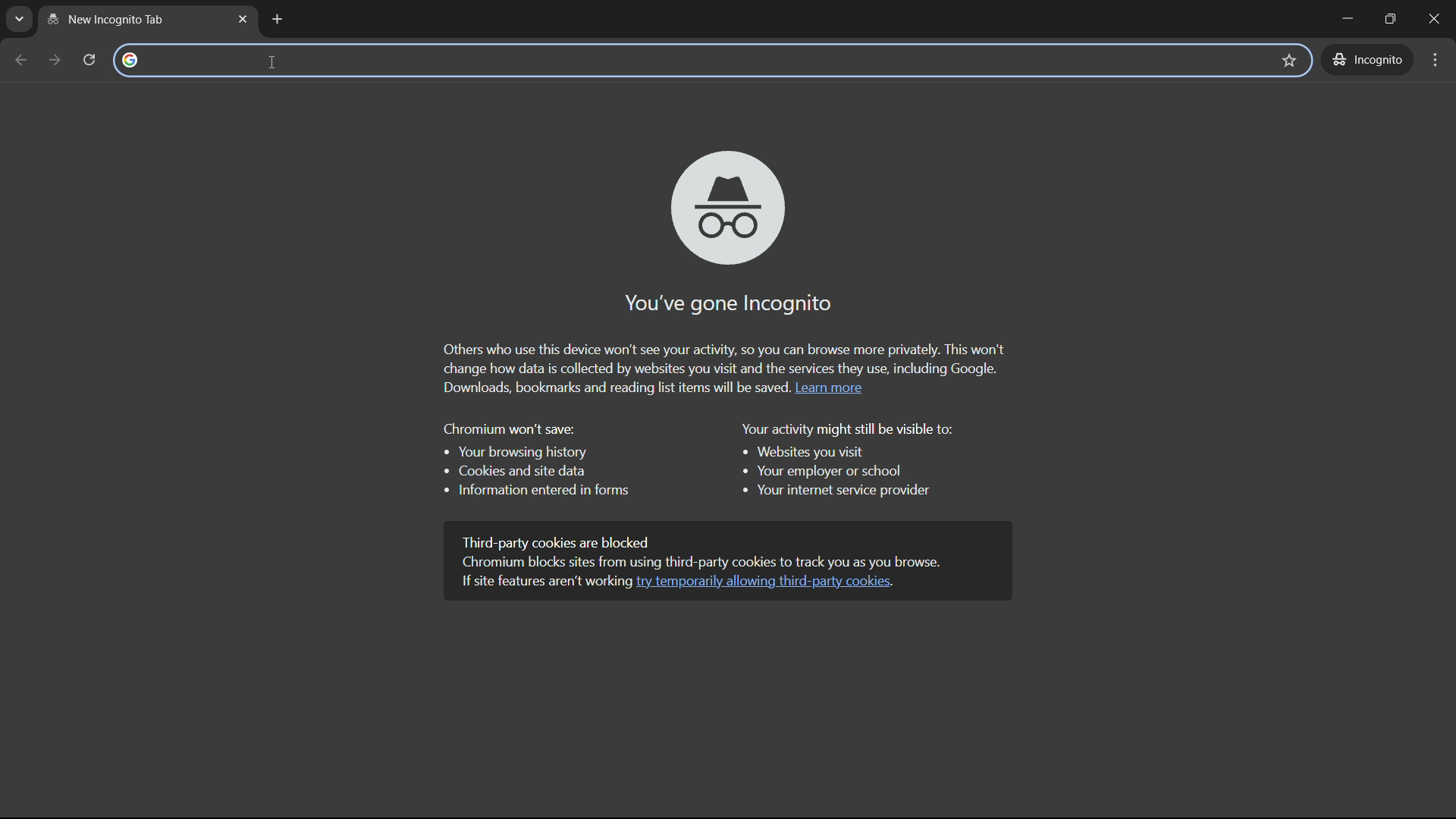 The image size is (1456, 819). What do you see at coordinates (846, 460) in the screenshot?
I see `Your activity might still be visible to:
« Websites you visit

« Your employer or school

« Your internet service provider` at bounding box center [846, 460].